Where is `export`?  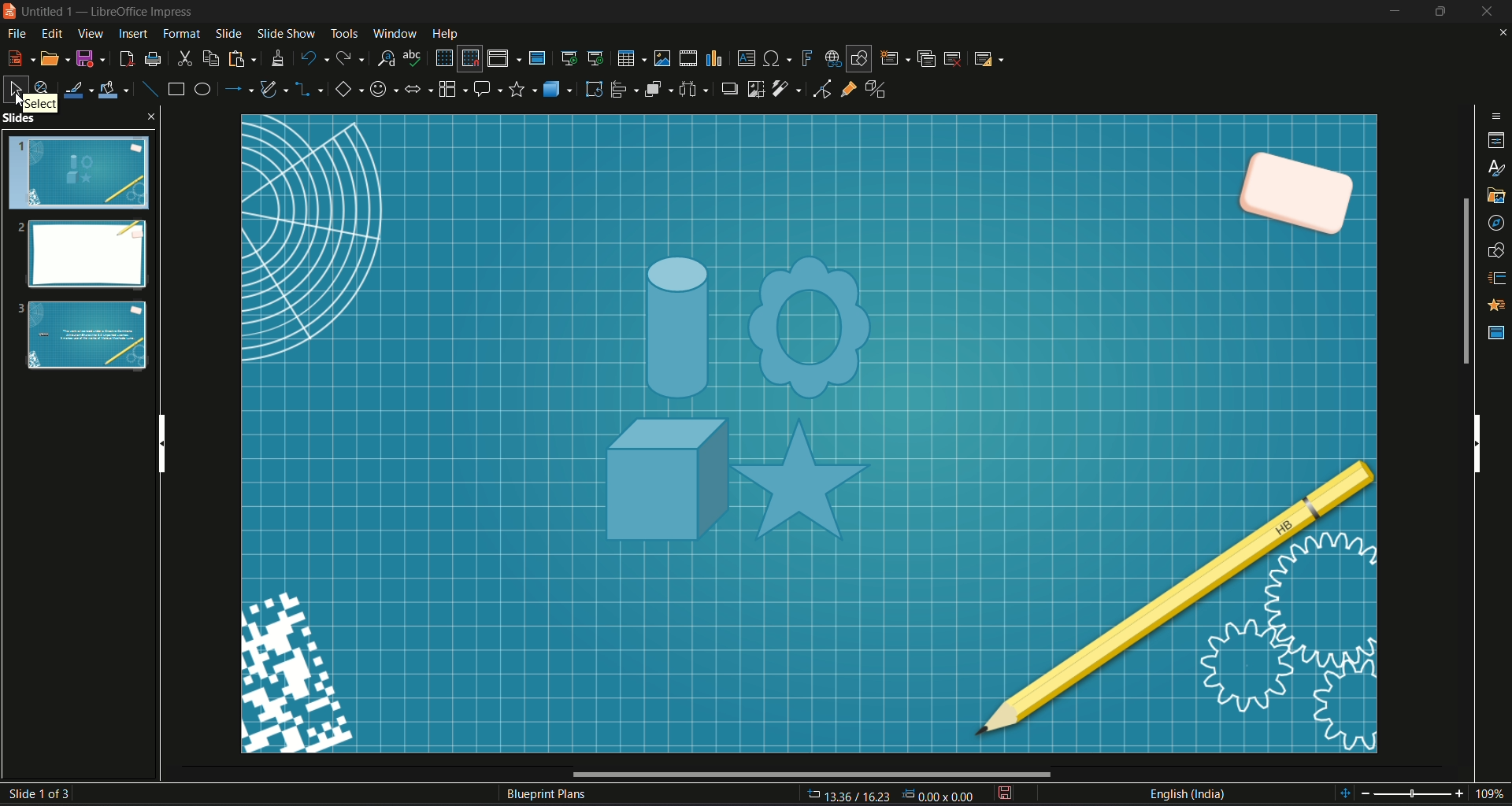 export is located at coordinates (124, 59).